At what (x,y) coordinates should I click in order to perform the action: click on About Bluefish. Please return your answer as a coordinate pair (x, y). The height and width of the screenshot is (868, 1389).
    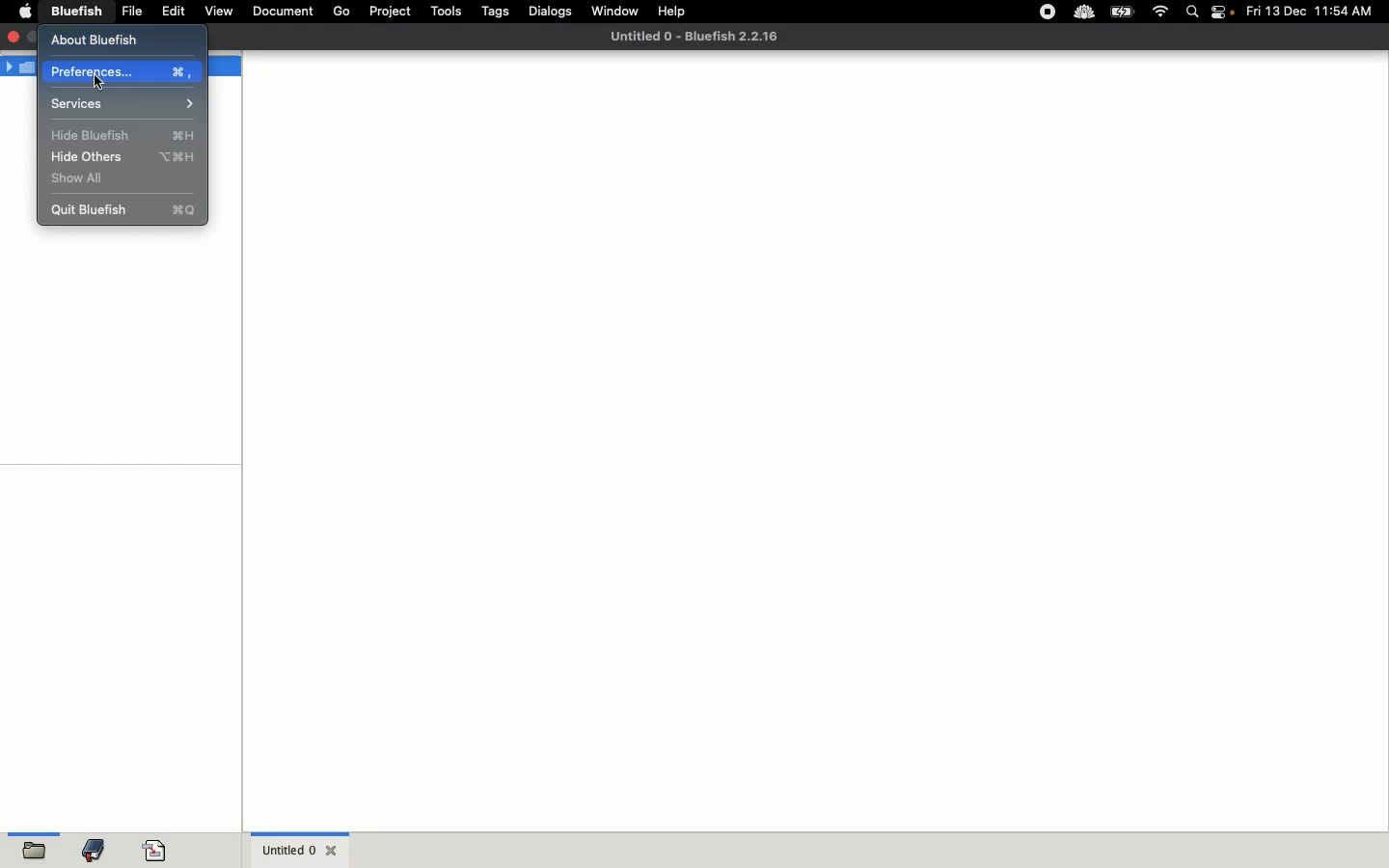
    Looking at the image, I should click on (99, 40).